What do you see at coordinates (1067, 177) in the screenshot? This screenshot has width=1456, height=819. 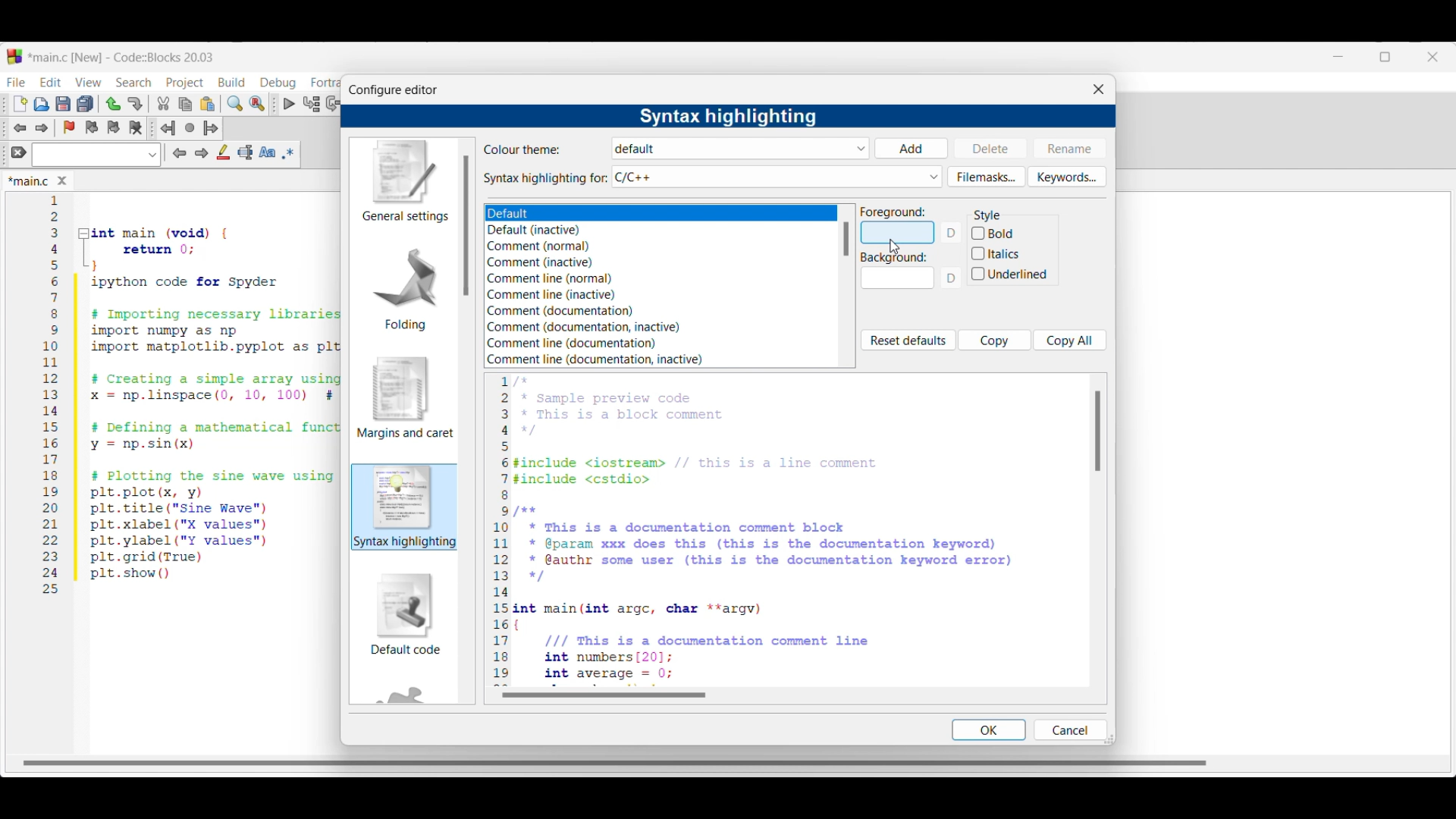 I see `Keywords` at bounding box center [1067, 177].